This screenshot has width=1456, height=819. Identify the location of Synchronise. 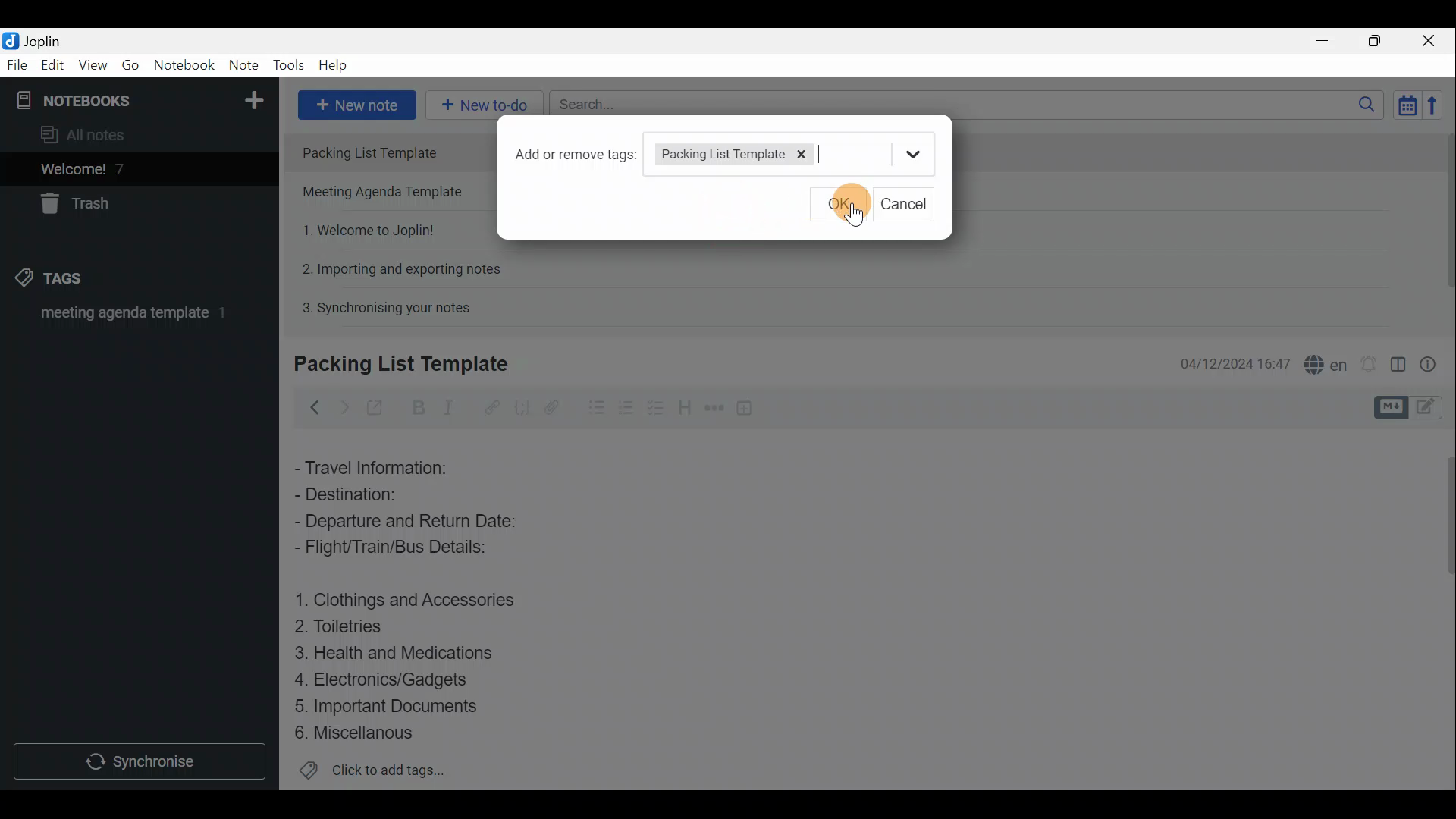
(142, 764).